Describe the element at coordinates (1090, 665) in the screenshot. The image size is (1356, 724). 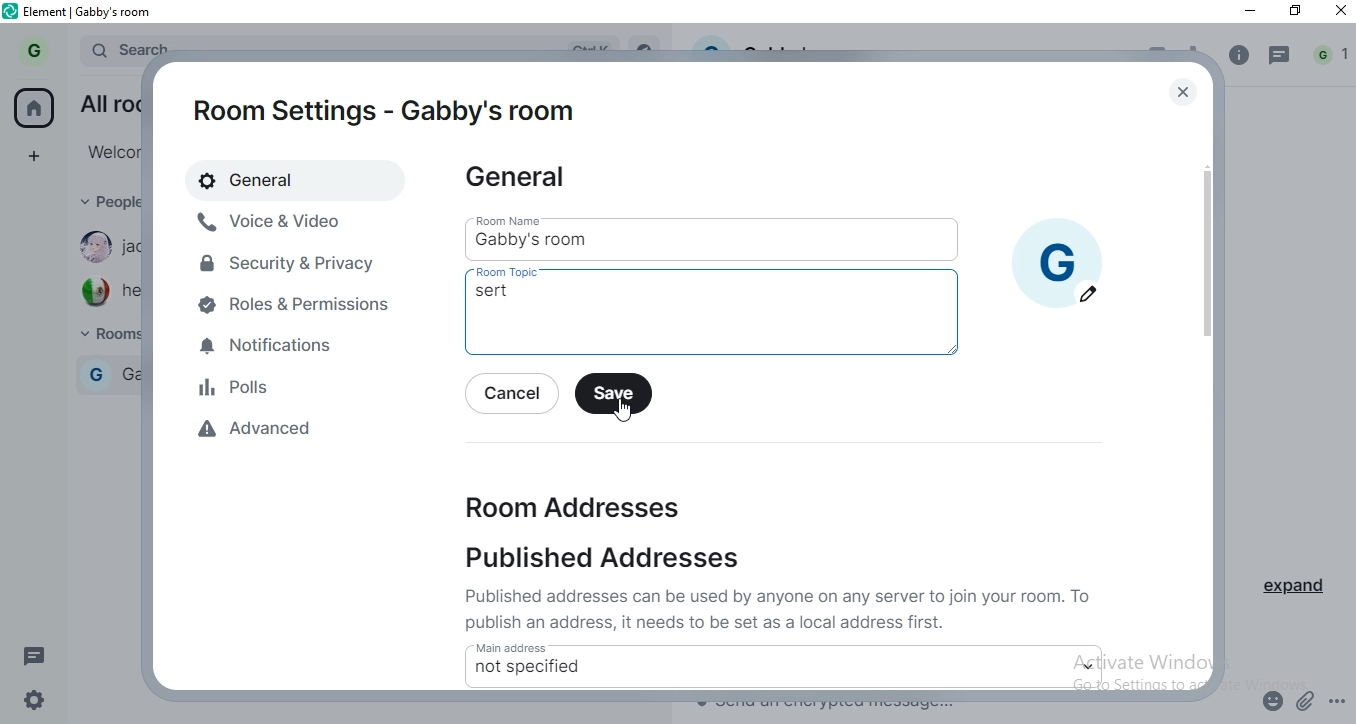
I see `dropdown` at that location.